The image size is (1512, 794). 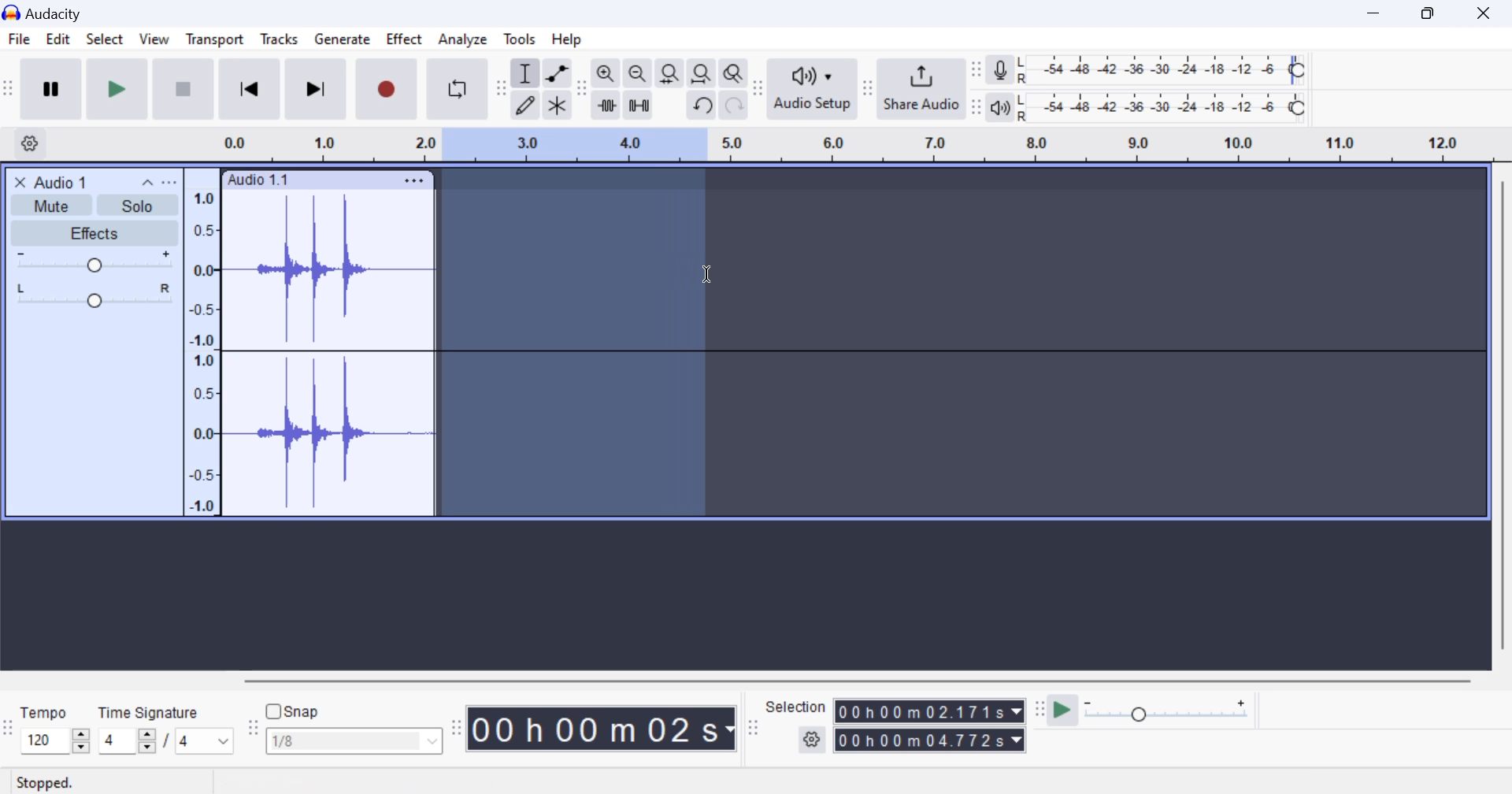 What do you see at coordinates (570, 39) in the screenshot?
I see `Help` at bounding box center [570, 39].